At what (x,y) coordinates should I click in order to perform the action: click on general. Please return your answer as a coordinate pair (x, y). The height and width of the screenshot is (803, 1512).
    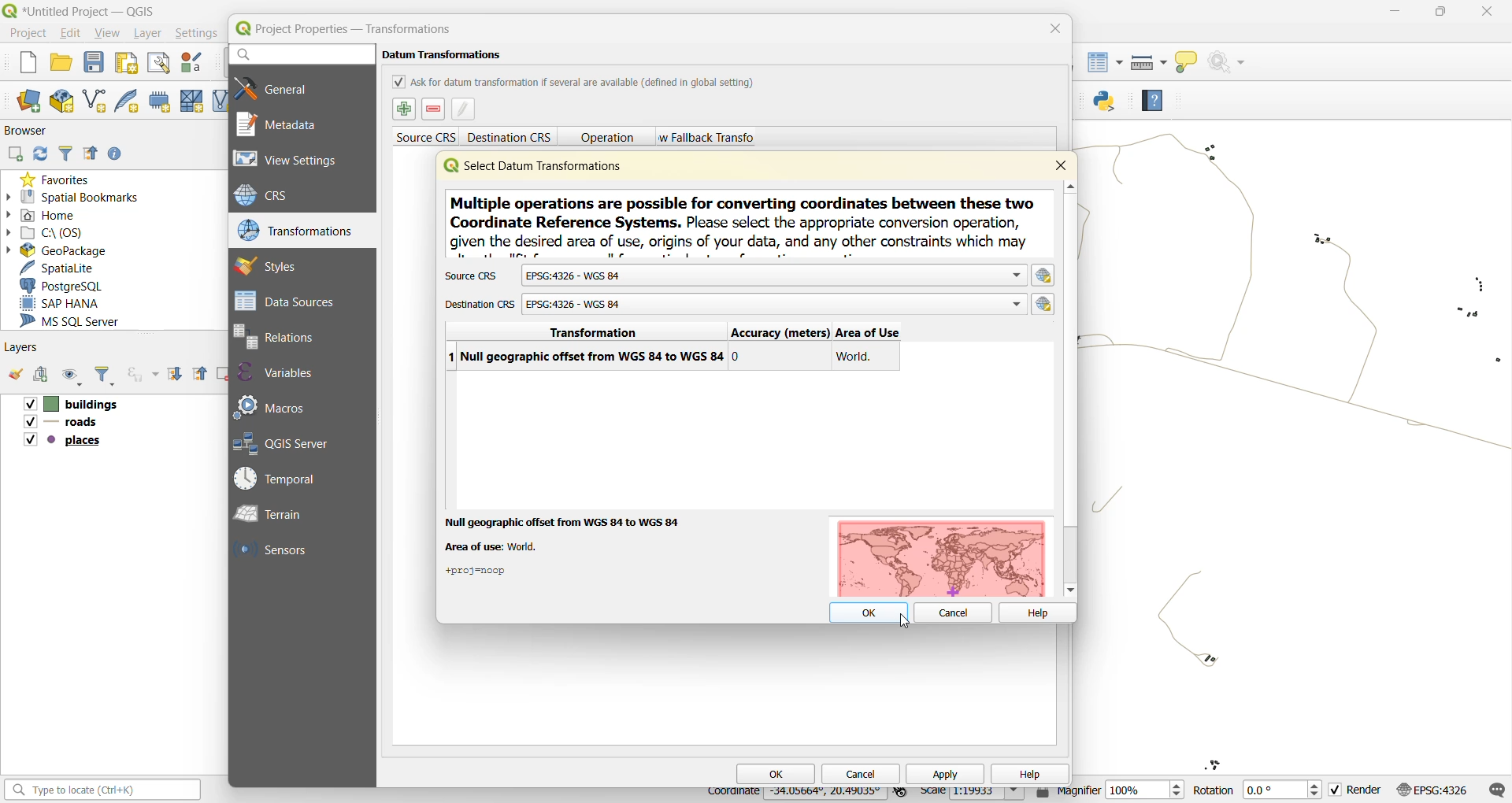
    Looking at the image, I should click on (287, 87).